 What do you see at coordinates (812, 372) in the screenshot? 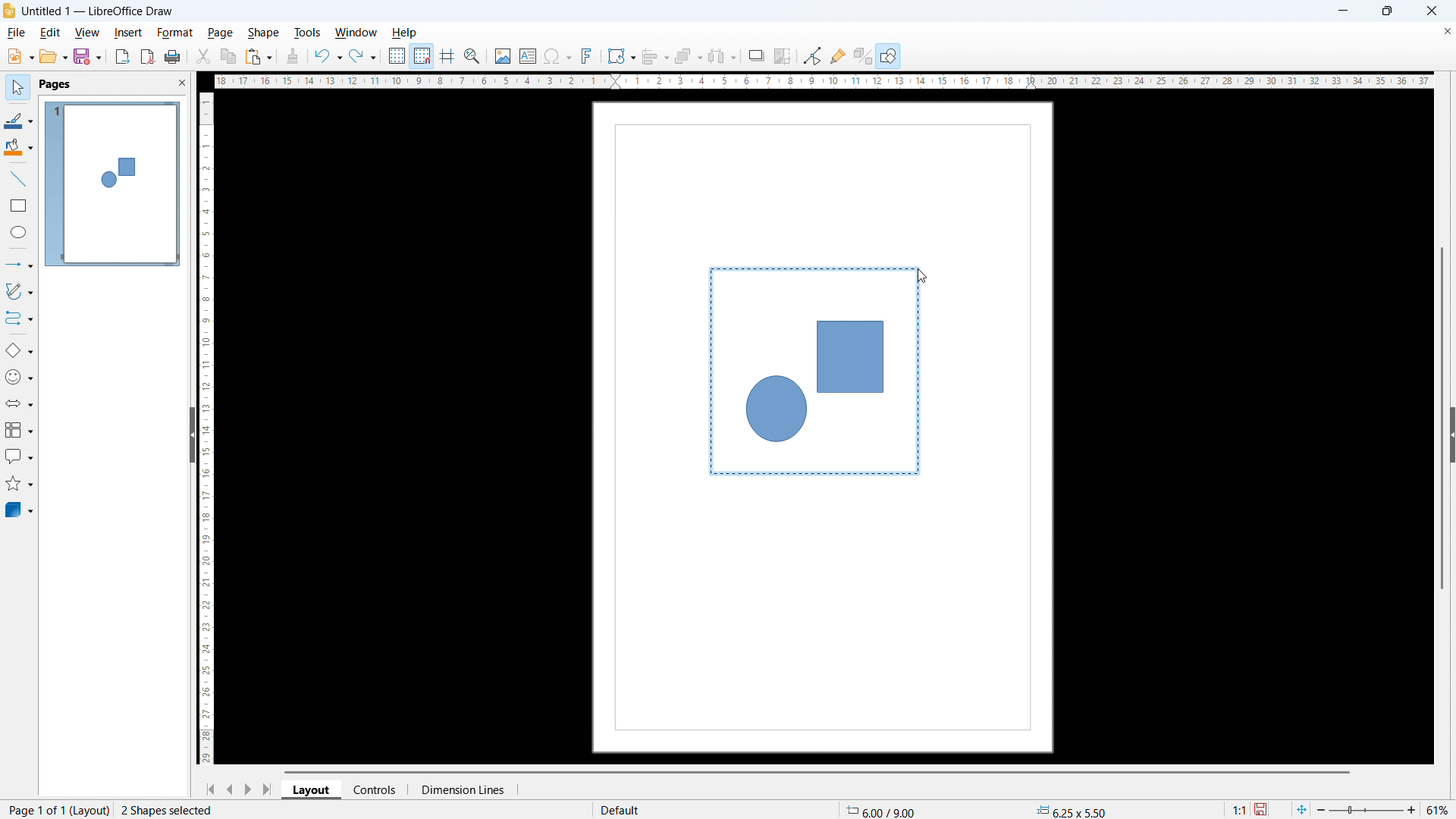
I see `shapes being selected together` at bounding box center [812, 372].